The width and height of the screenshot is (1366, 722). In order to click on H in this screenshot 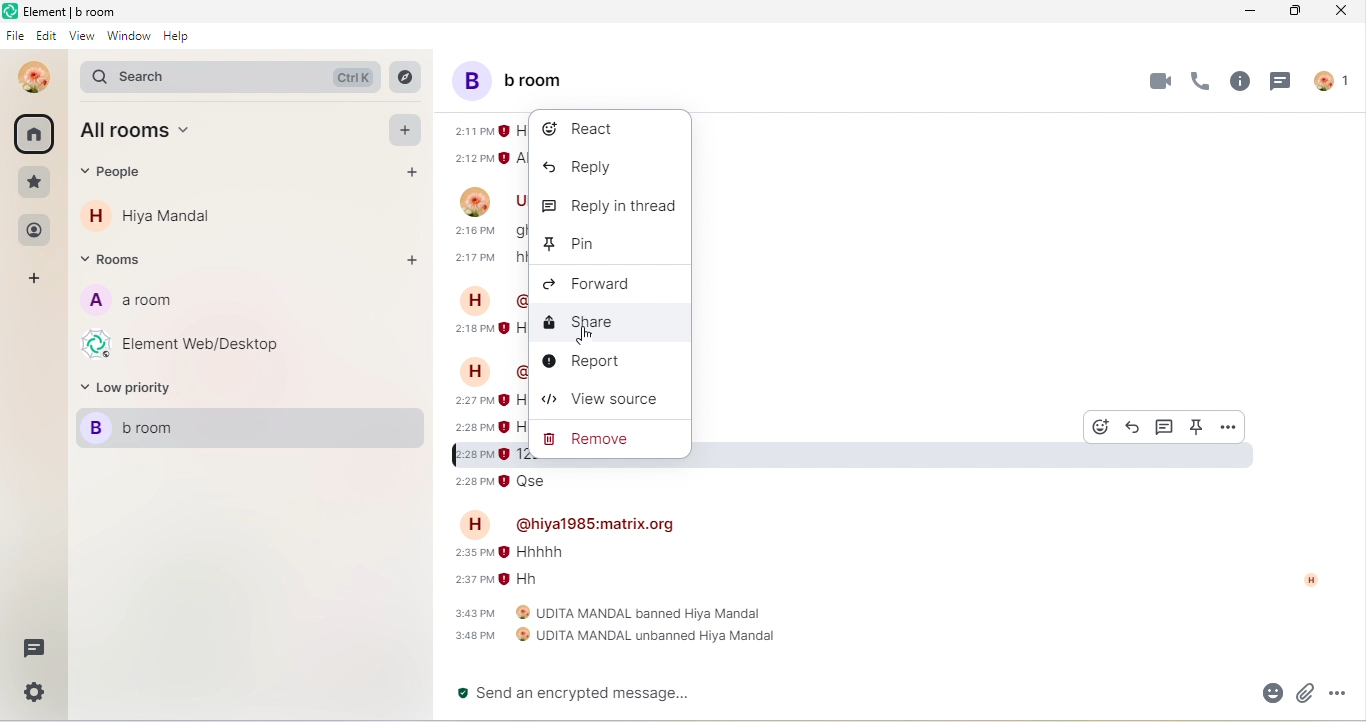, I will do `click(475, 370)`.